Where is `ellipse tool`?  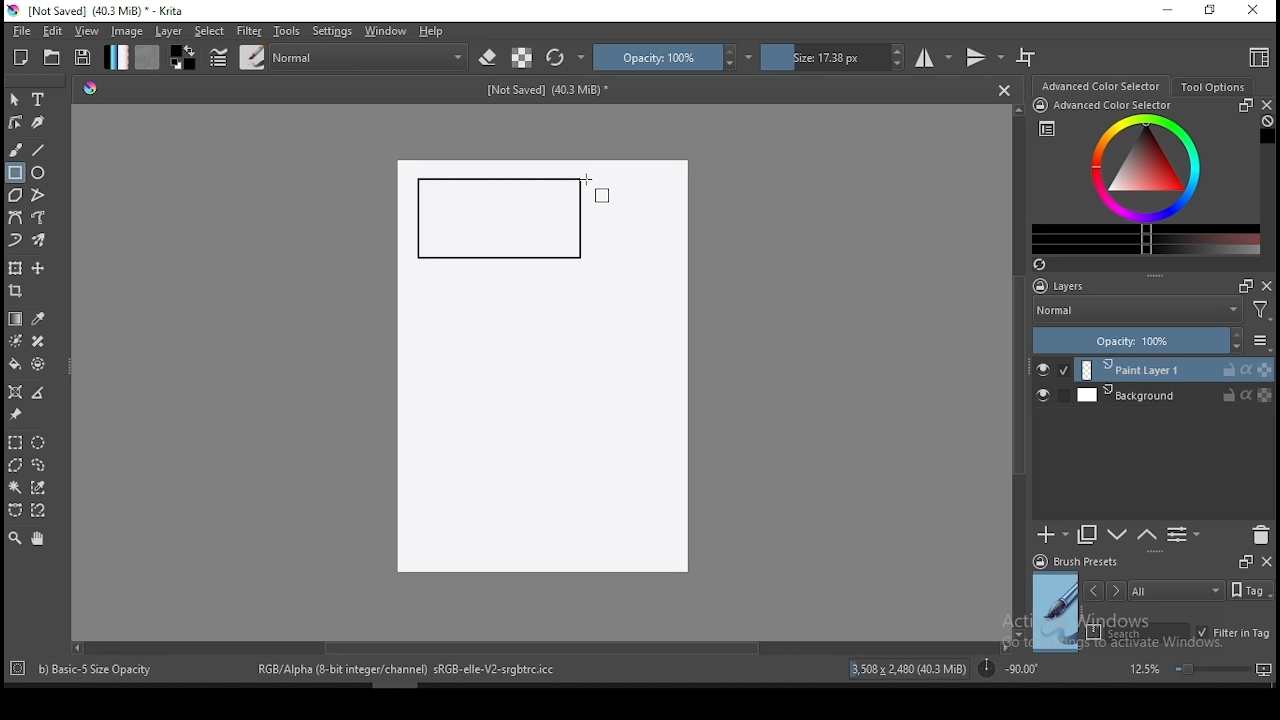 ellipse tool is located at coordinates (39, 171).